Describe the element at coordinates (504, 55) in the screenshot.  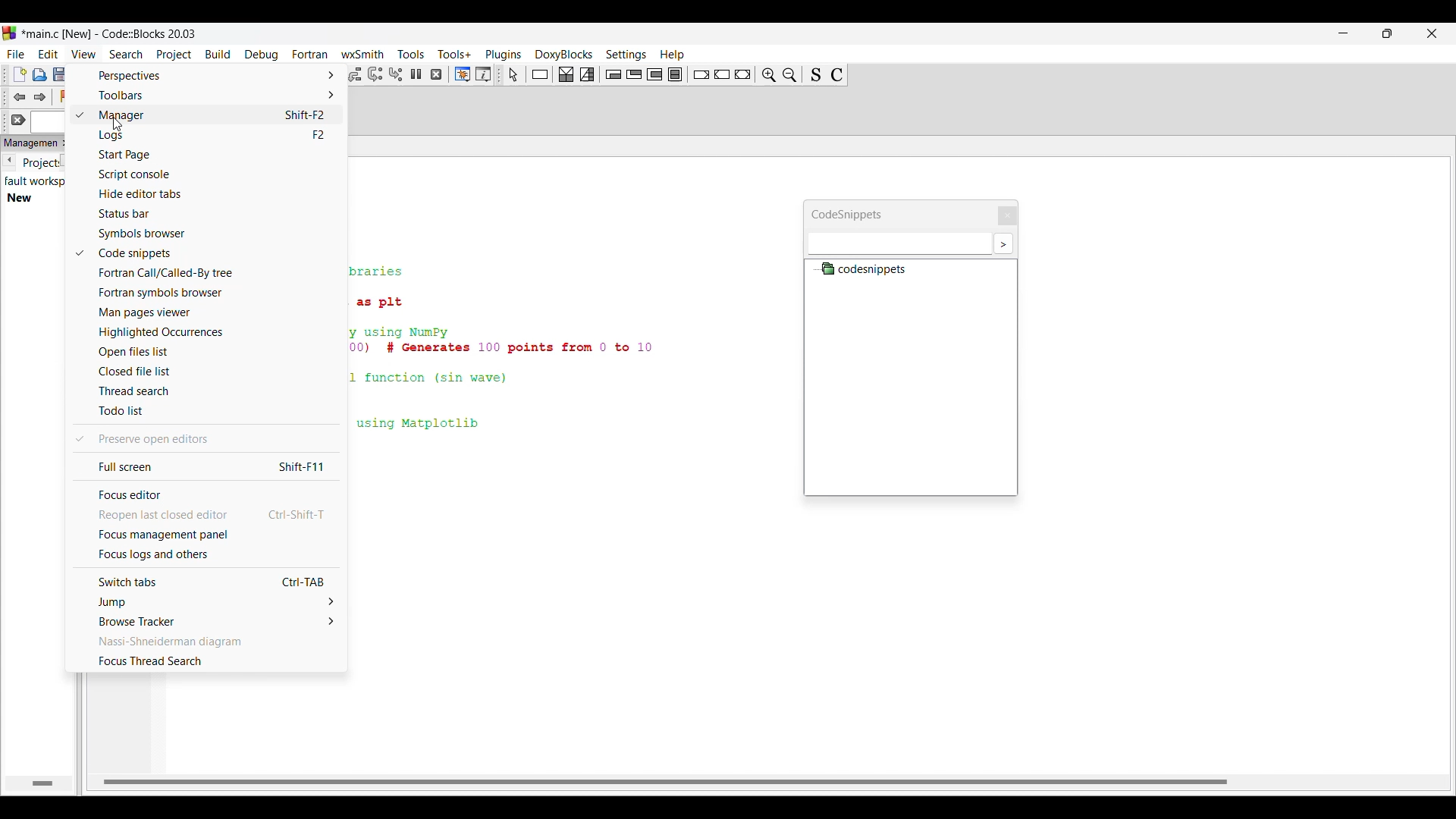
I see `Plugins menu` at that location.